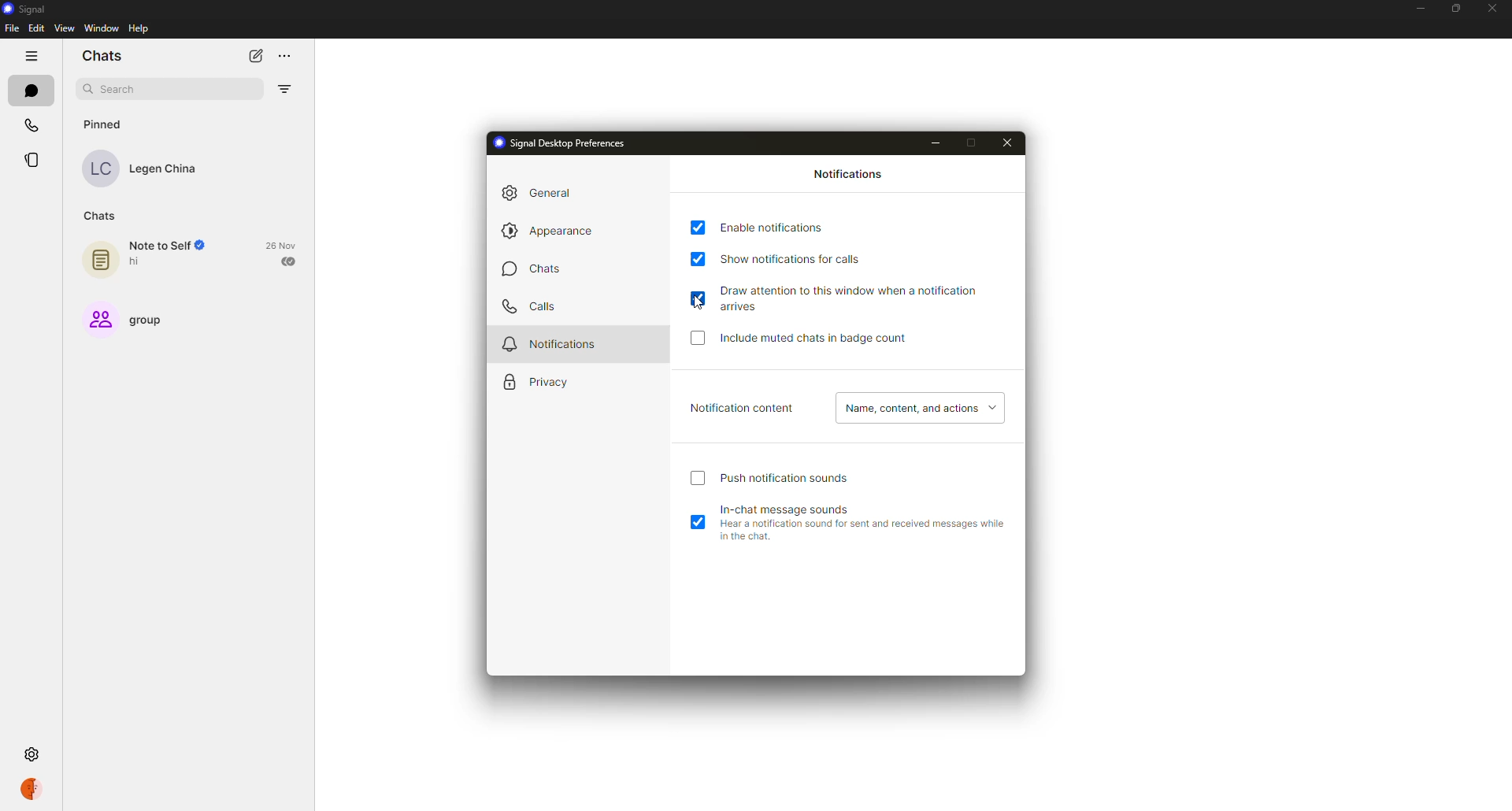  What do you see at coordinates (778, 227) in the screenshot?
I see `enable notifications` at bounding box center [778, 227].